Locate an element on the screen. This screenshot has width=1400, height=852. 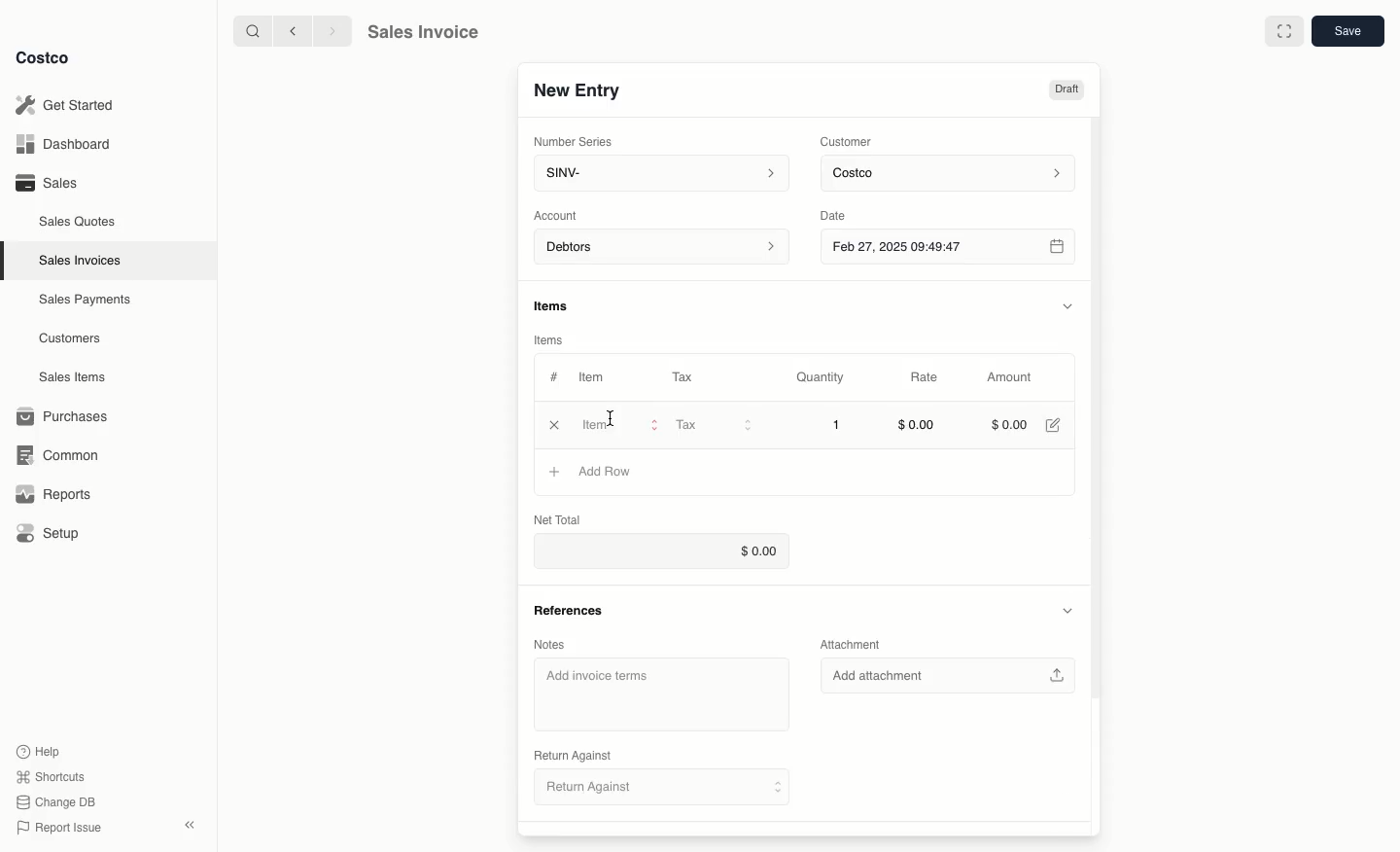
Sales Quotes is located at coordinates (79, 221).